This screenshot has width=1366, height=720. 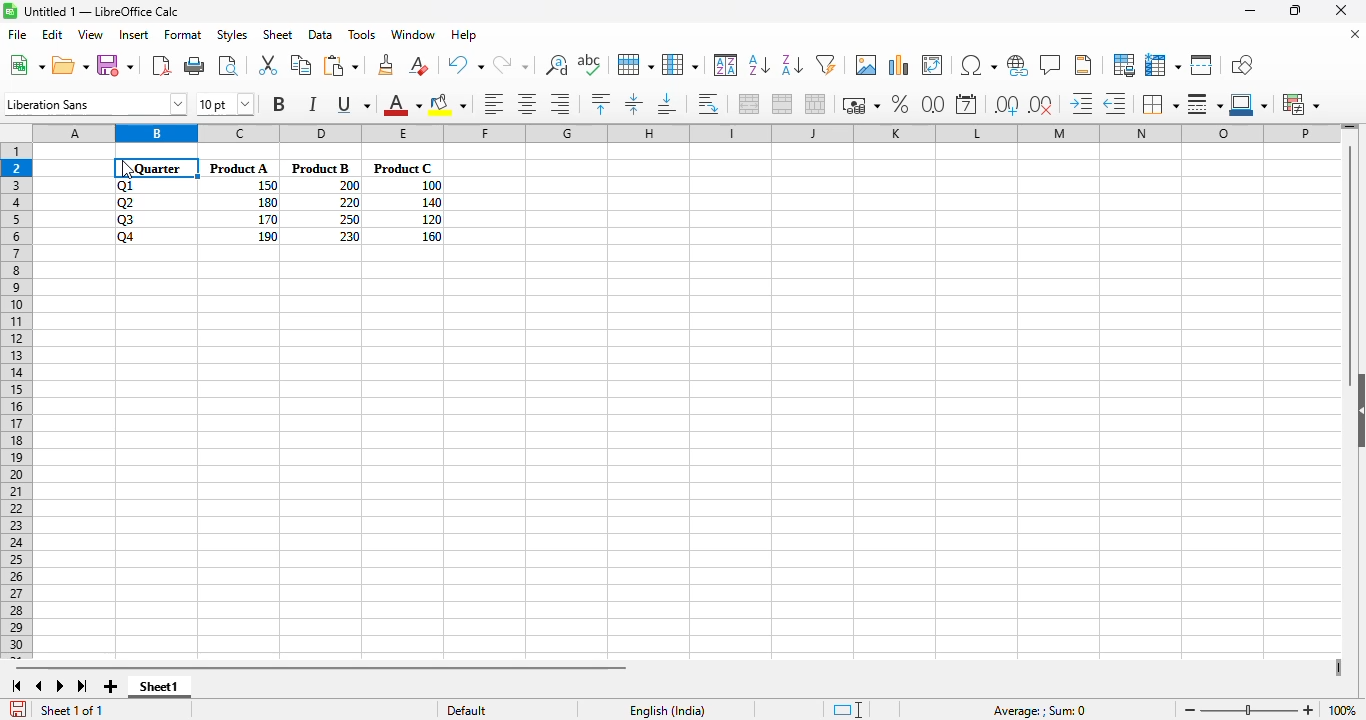 What do you see at coordinates (465, 65) in the screenshot?
I see `undo` at bounding box center [465, 65].